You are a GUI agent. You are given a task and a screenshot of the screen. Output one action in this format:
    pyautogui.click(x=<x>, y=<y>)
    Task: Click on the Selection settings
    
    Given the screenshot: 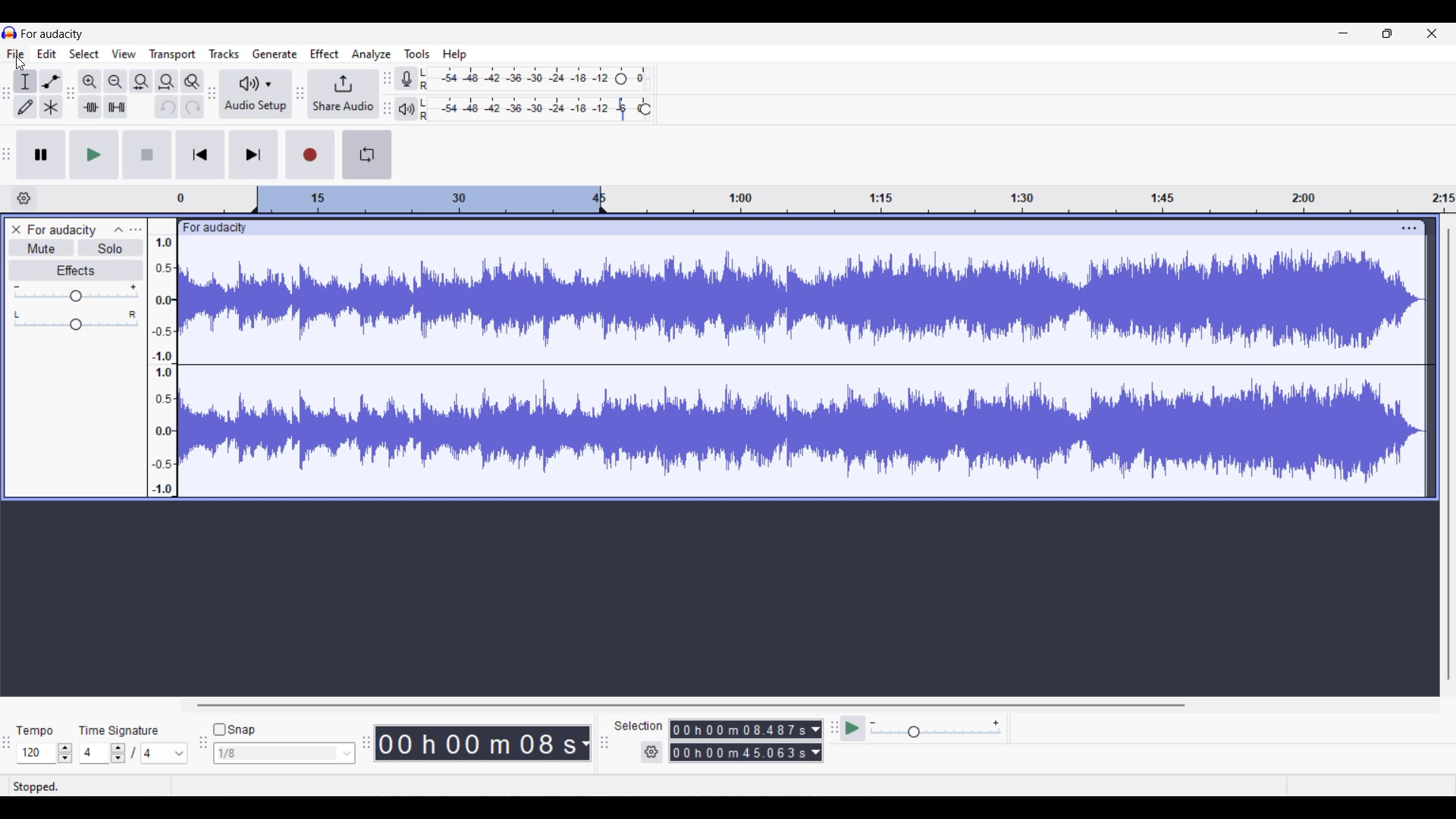 What is the action you would take?
    pyautogui.click(x=652, y=752)
    